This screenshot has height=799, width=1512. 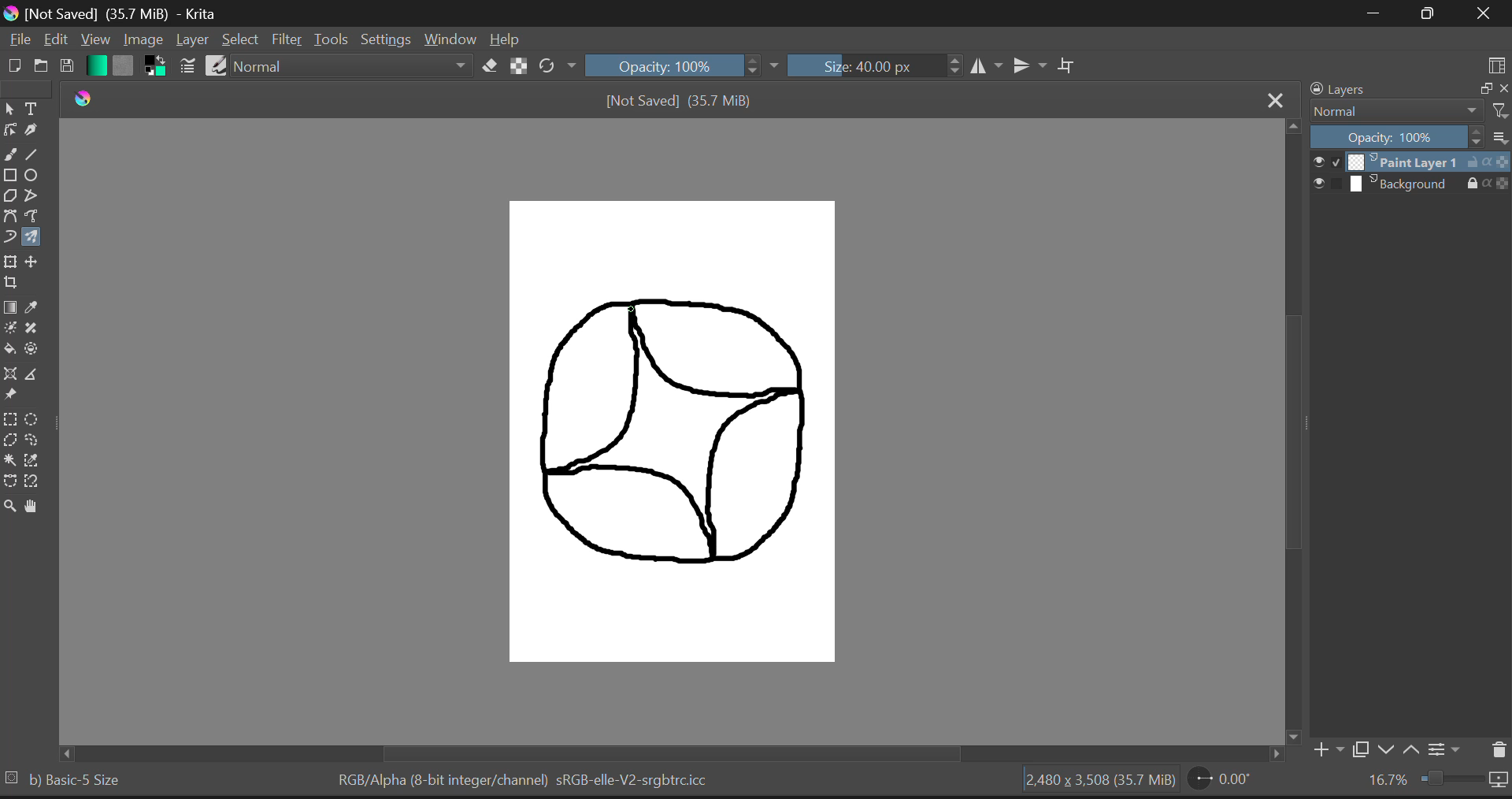 I want to click on Close, so click(x=1276, y=100).